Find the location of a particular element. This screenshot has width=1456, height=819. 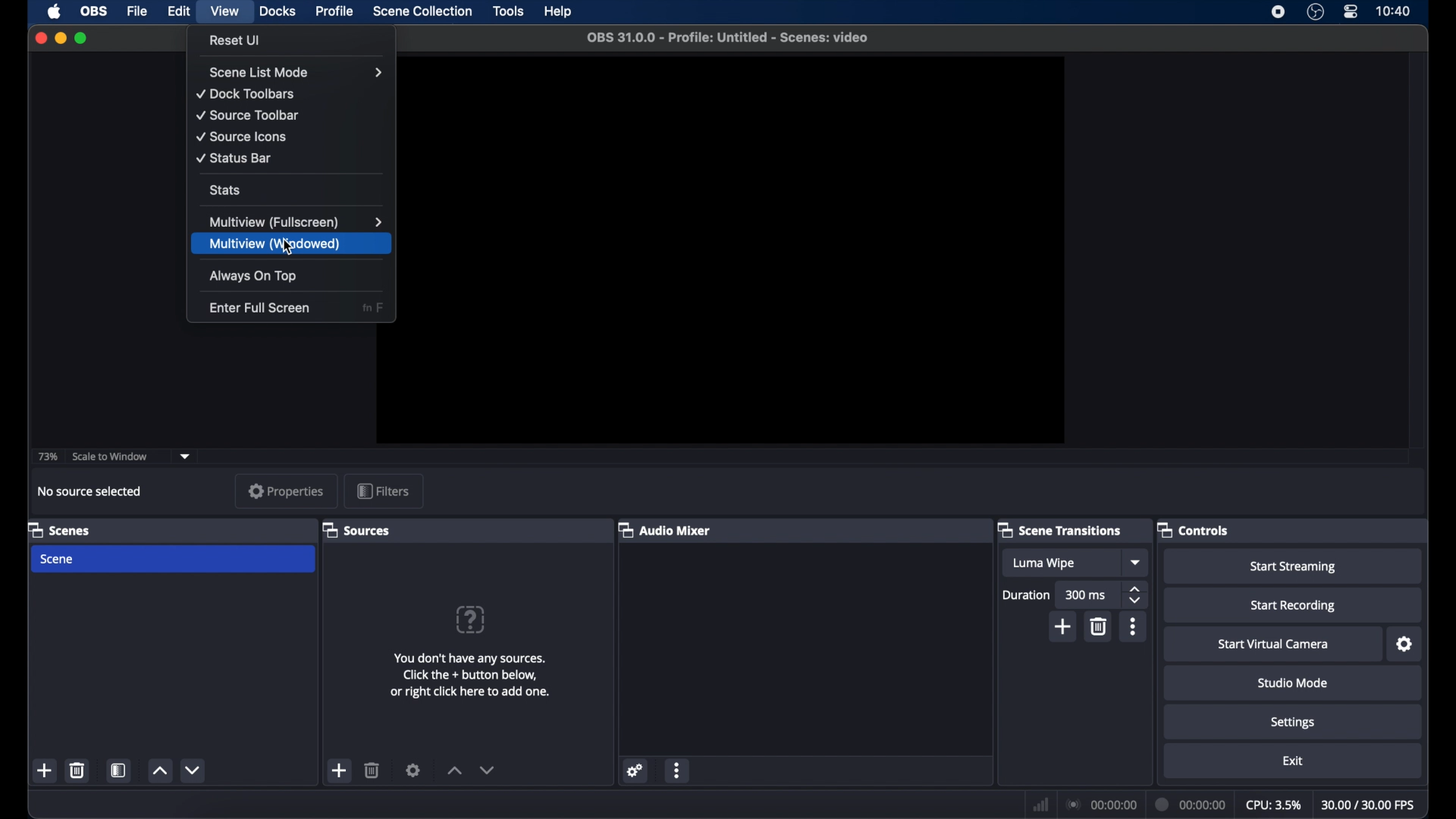

question mark icon is located at coordinates (472, 619).